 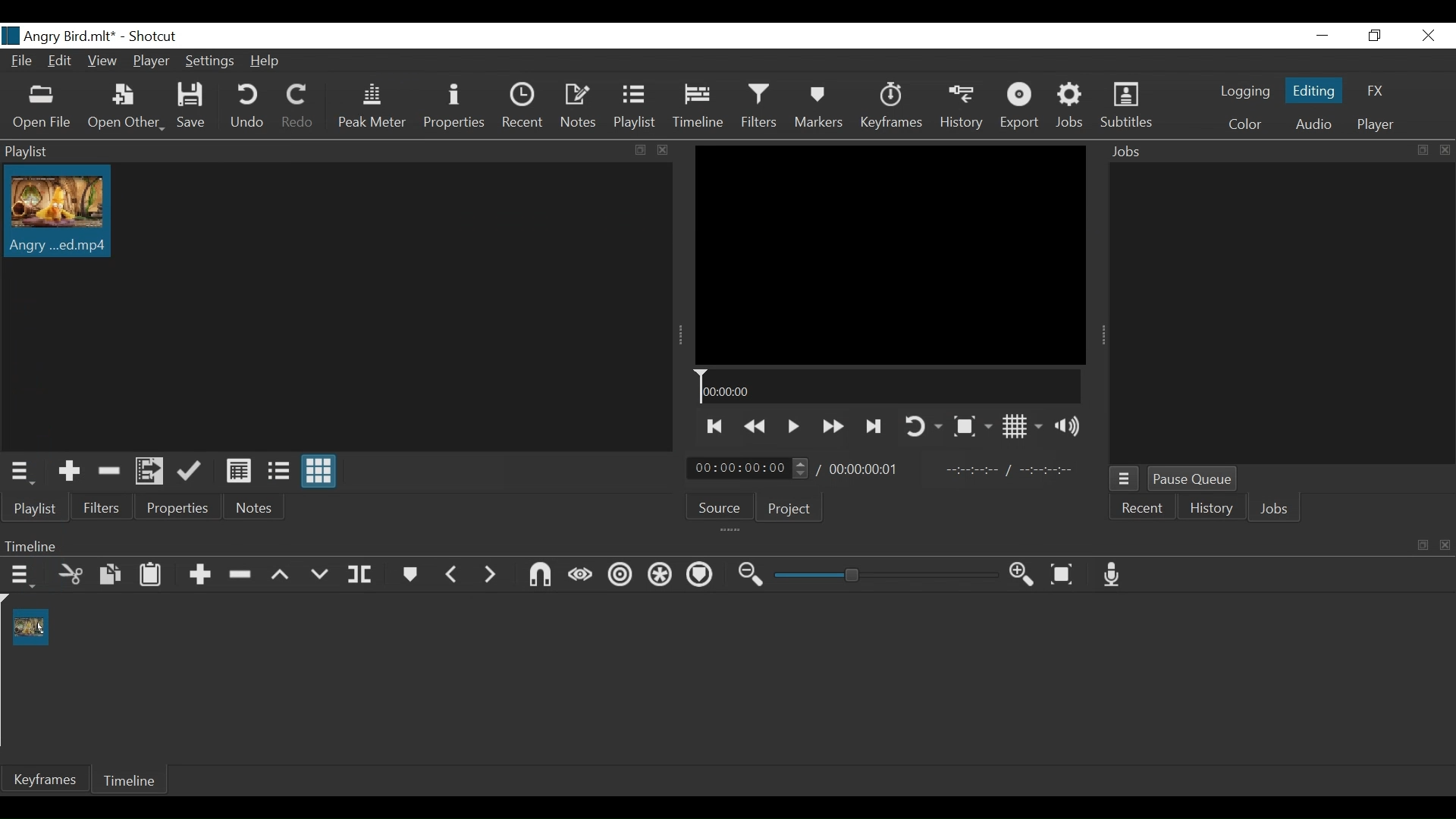 I want to click on Subtitles, so click(x=1126, y=105).